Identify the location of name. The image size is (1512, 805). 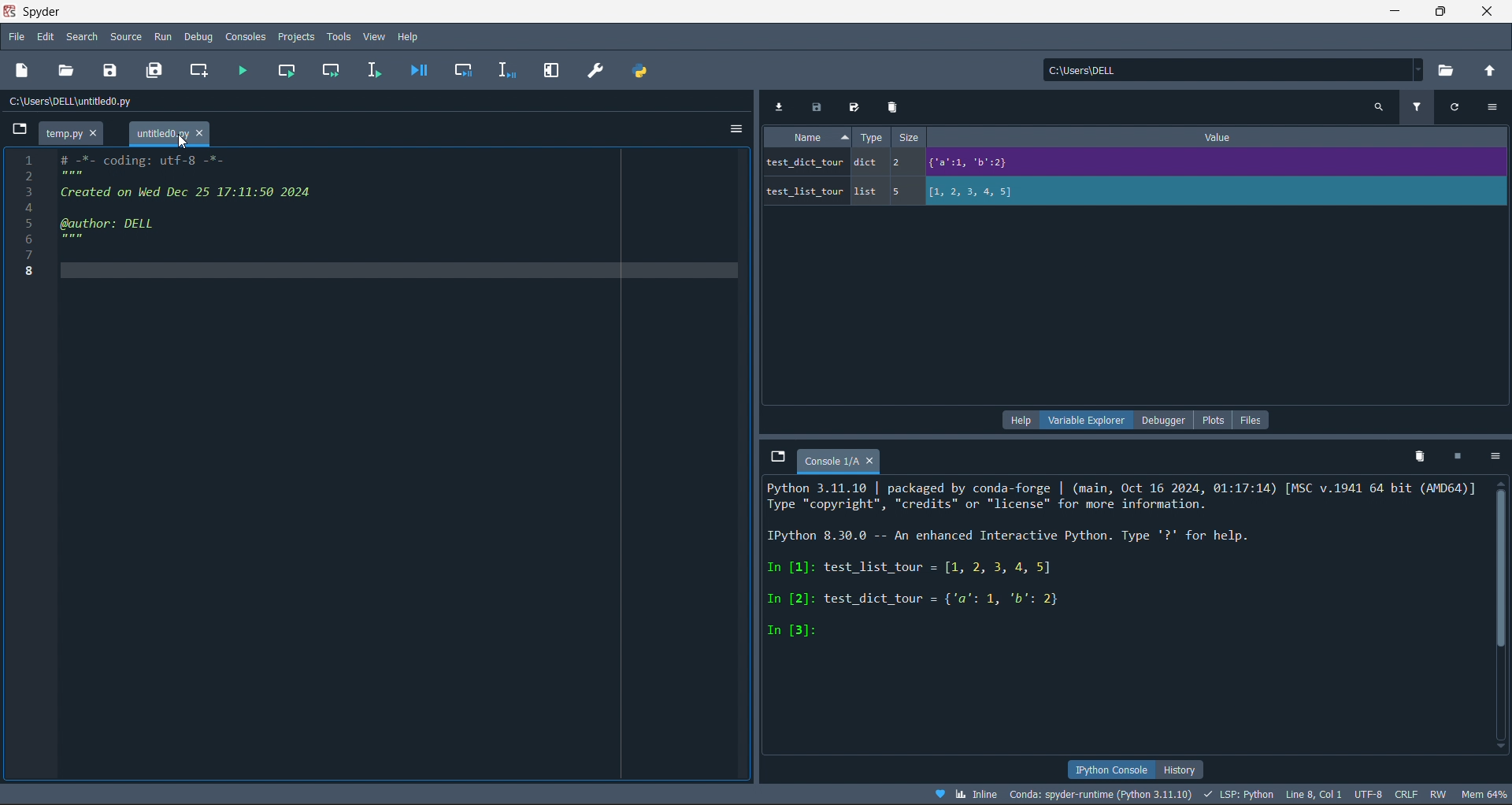
(807, 137).